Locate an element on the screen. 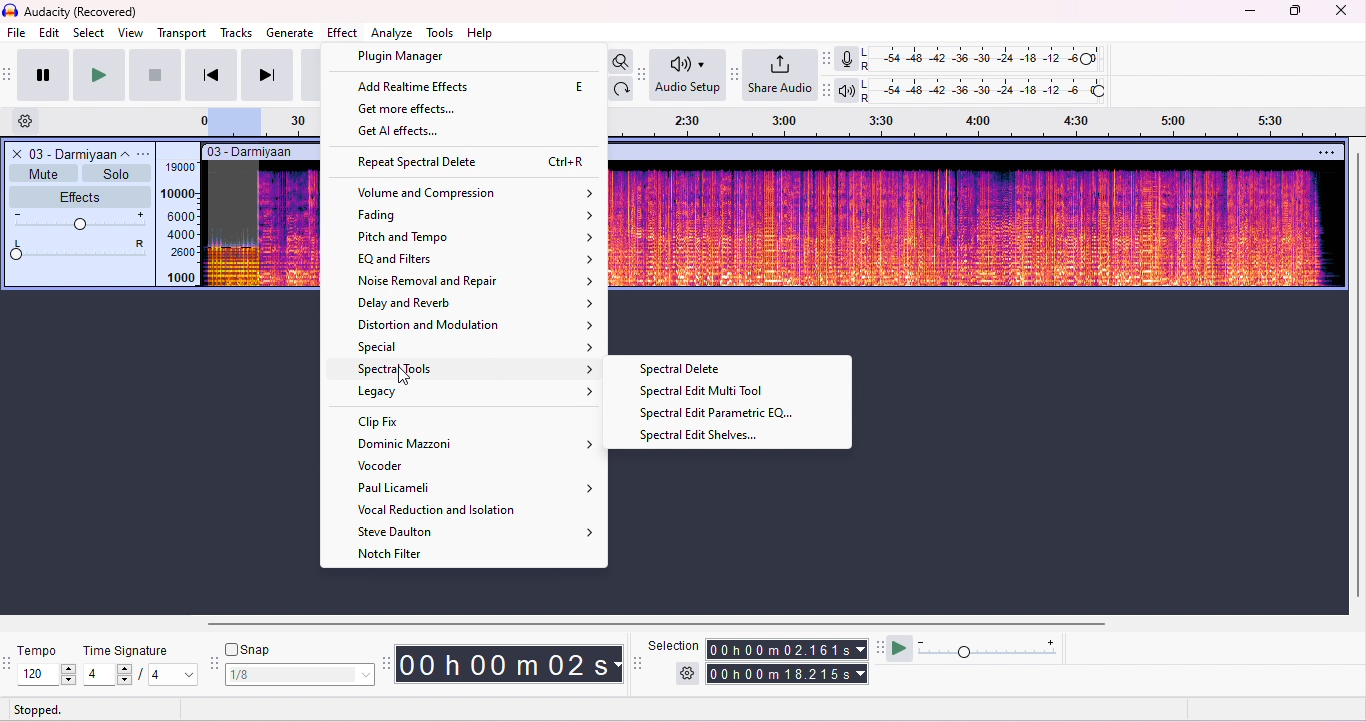 The width and height of the screenshot is (1366, 722). selection tool bar is located at coordinates (638, 663).